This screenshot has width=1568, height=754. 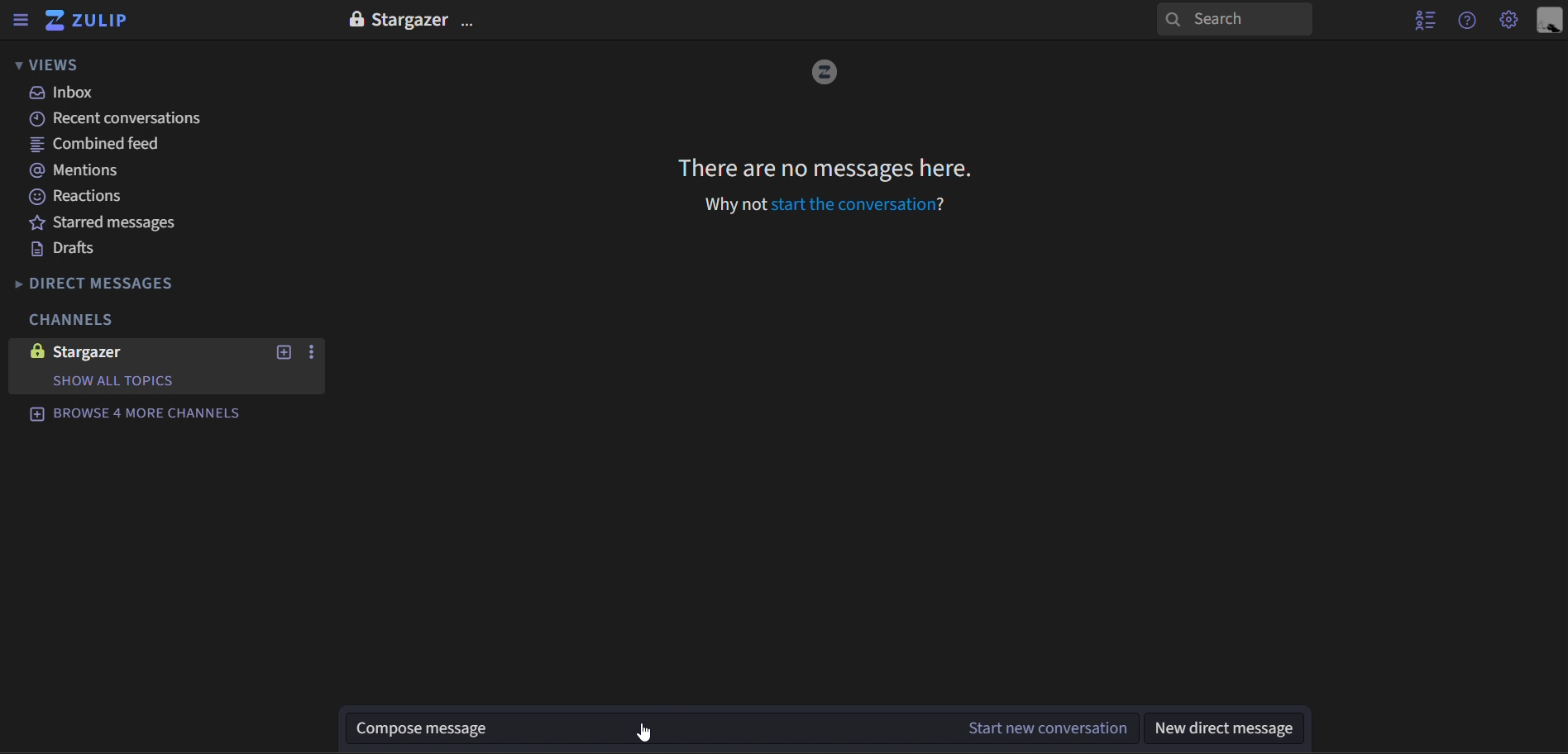 What do you see at coordinates (1508, 21) in the screenshot?
I see `Settings` at bounding box center [1508, 21].